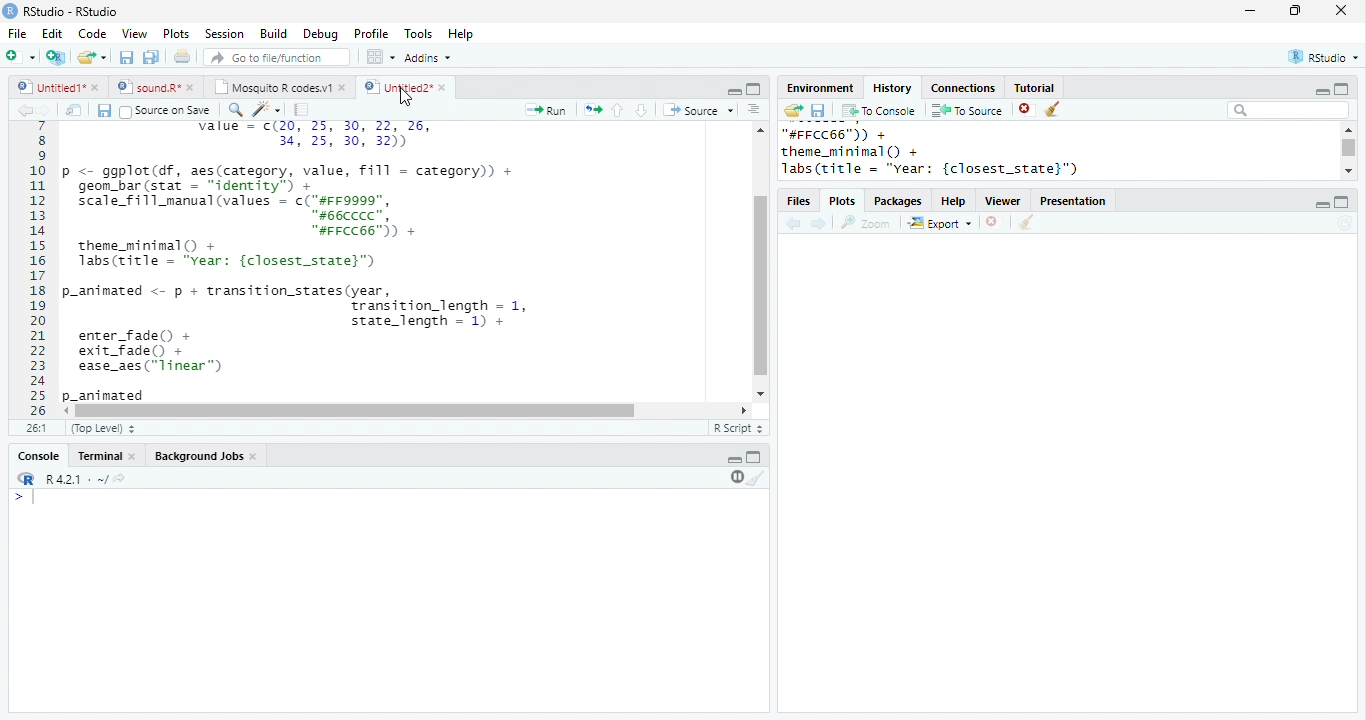  Describe the element at coordinates (273, 33) in the screenshot. I see `Build` at that location.